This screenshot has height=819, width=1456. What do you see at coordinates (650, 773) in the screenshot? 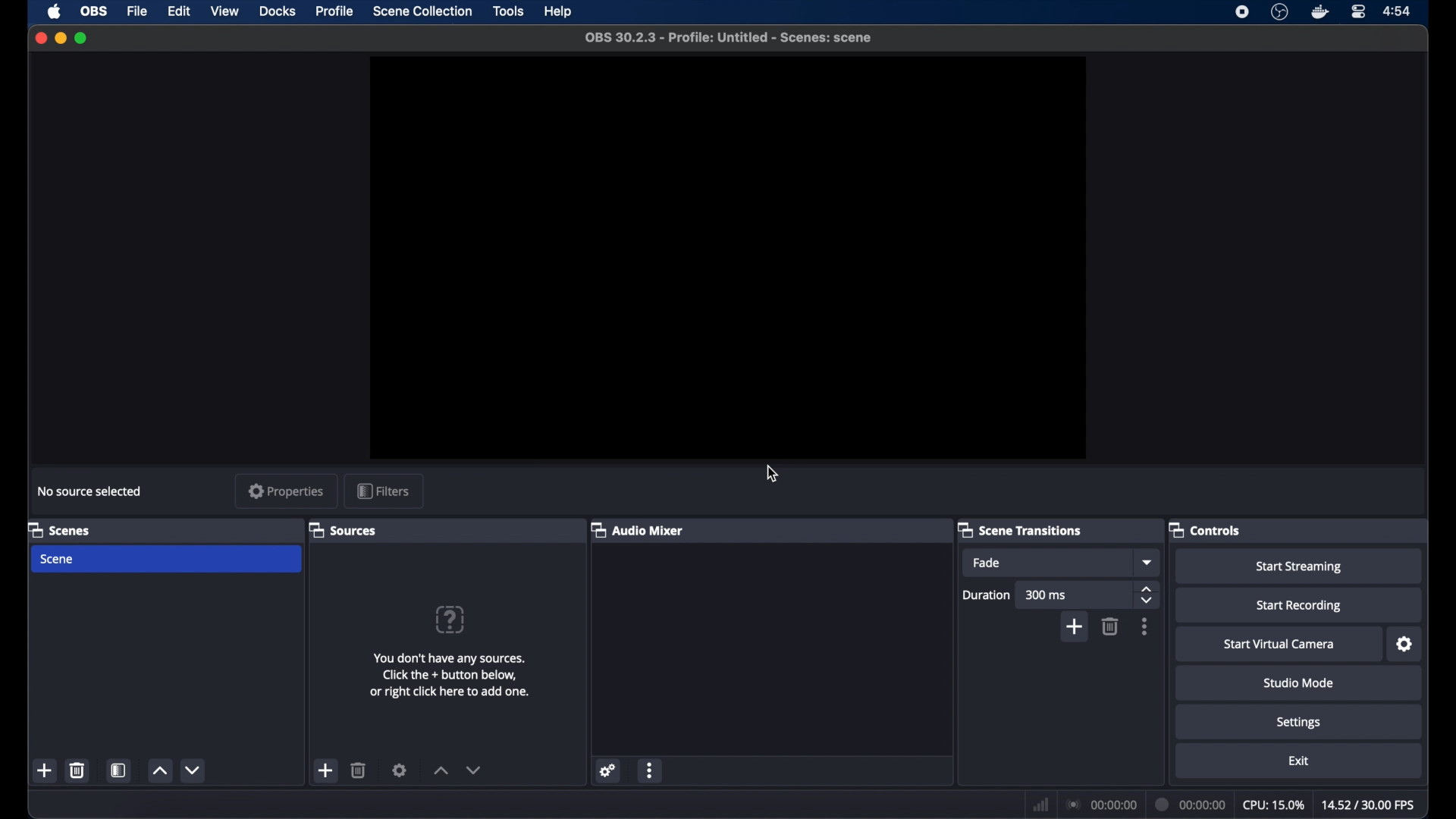
I see `more options` at bounding box center [650, 773].